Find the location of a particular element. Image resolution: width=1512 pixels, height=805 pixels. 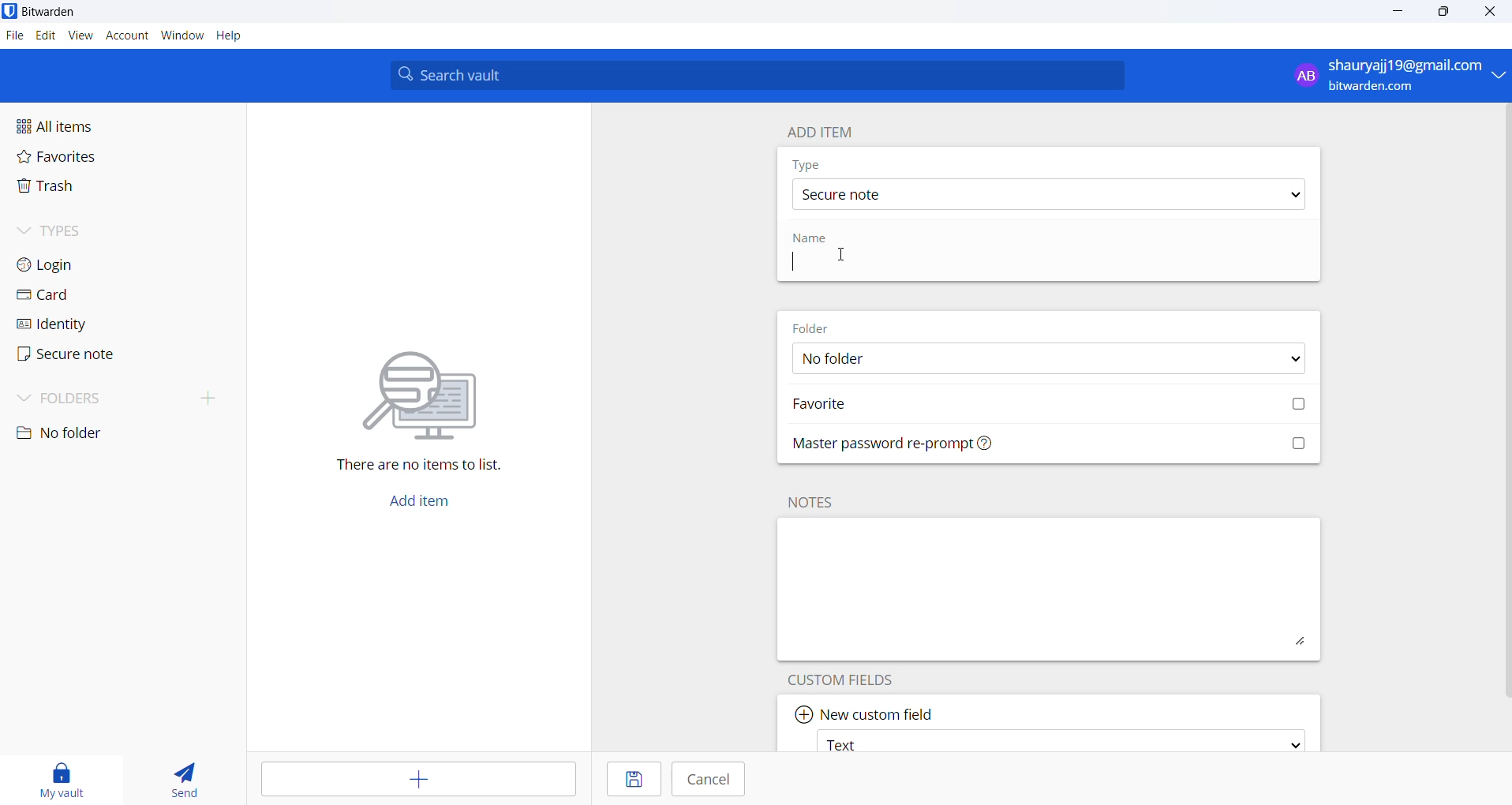

cursor is located at coordinates (840, 255).